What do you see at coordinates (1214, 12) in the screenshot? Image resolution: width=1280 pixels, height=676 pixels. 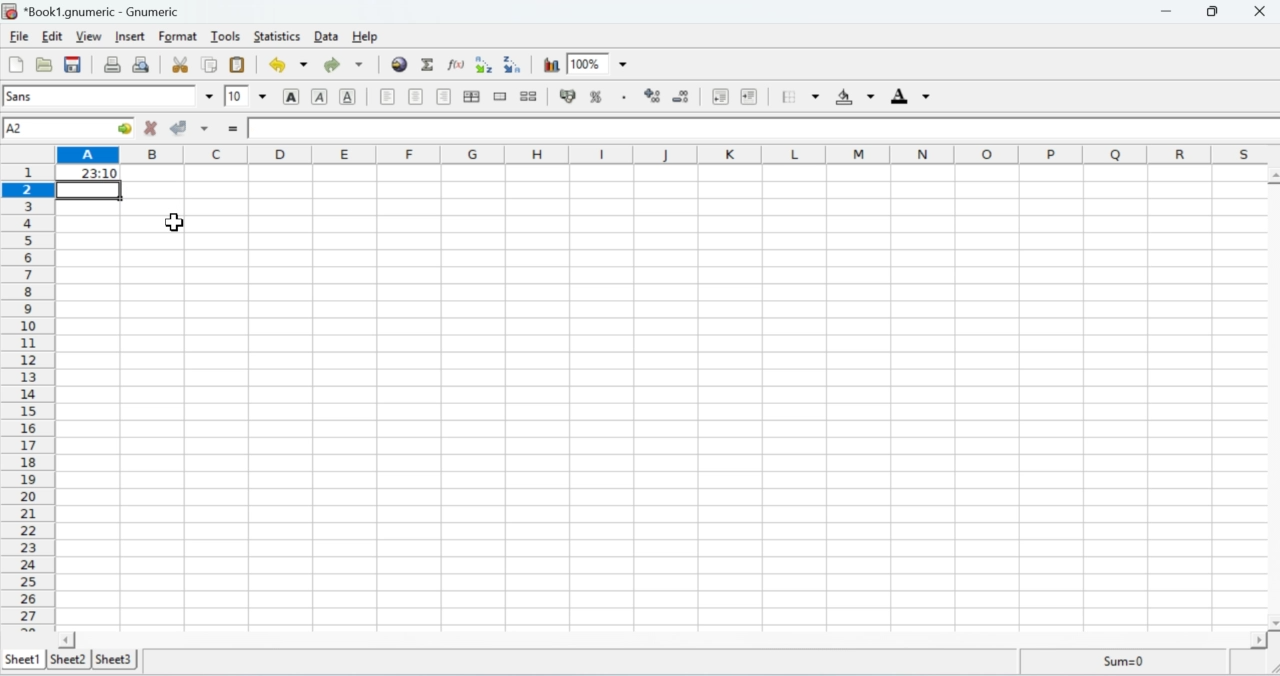 I see `Restore down` at bounding box center [1214, 12].